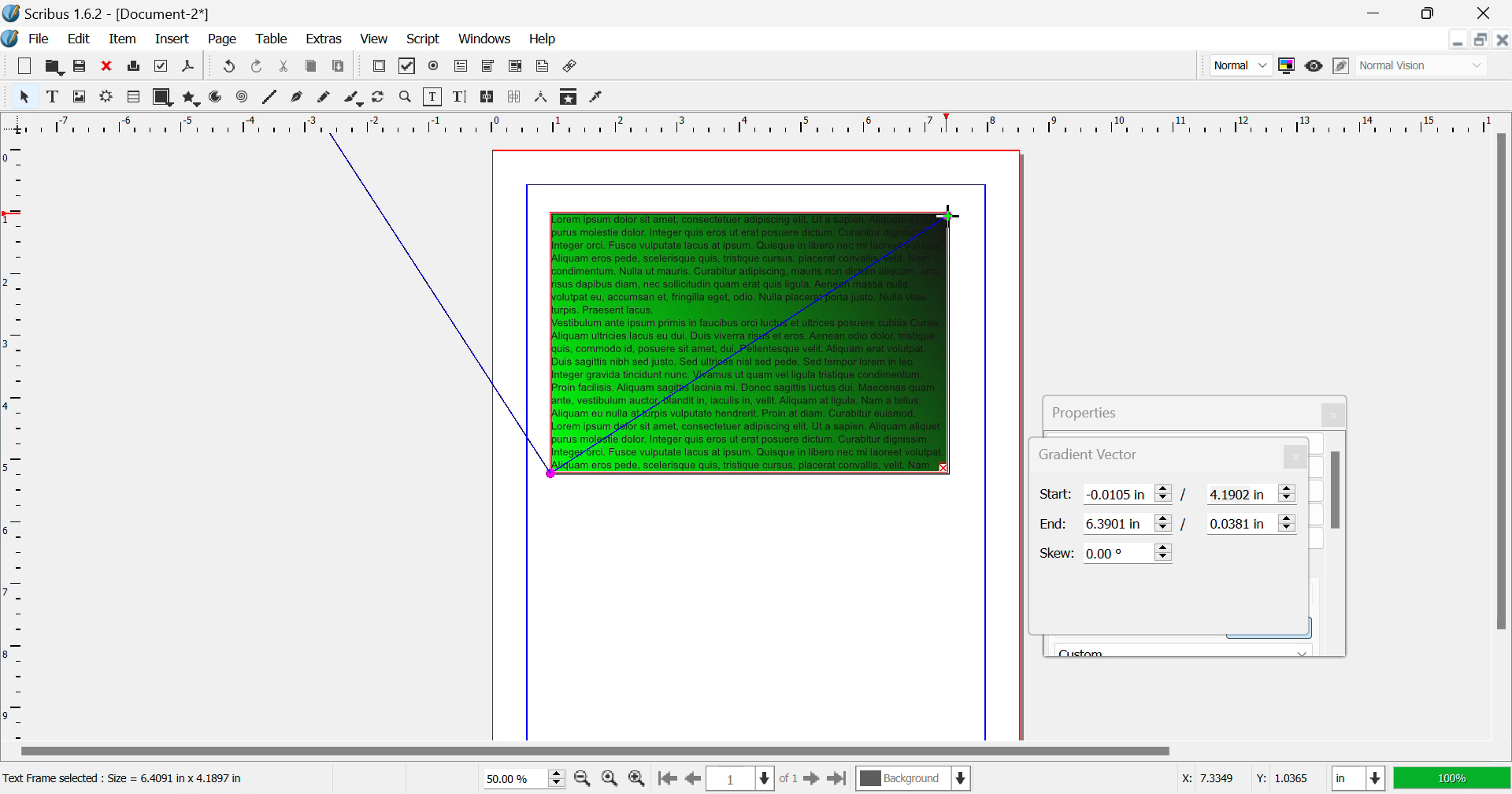 The height and width of the screenshot is (794, 1512). Describe the element at coordinates (487, 67) in the screenshot. I see `Pdf Combo Box` at that location.